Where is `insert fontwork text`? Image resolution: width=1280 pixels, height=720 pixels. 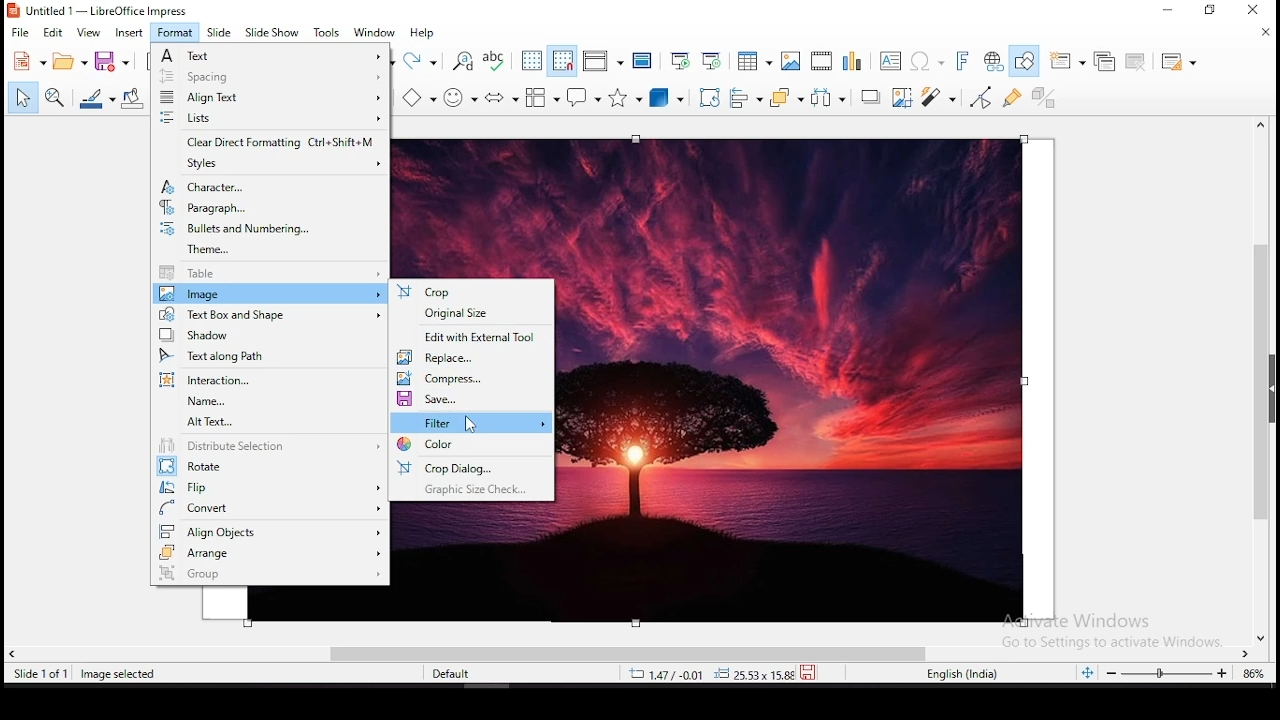 insert fontwork text is located at coordinates (964, 60).